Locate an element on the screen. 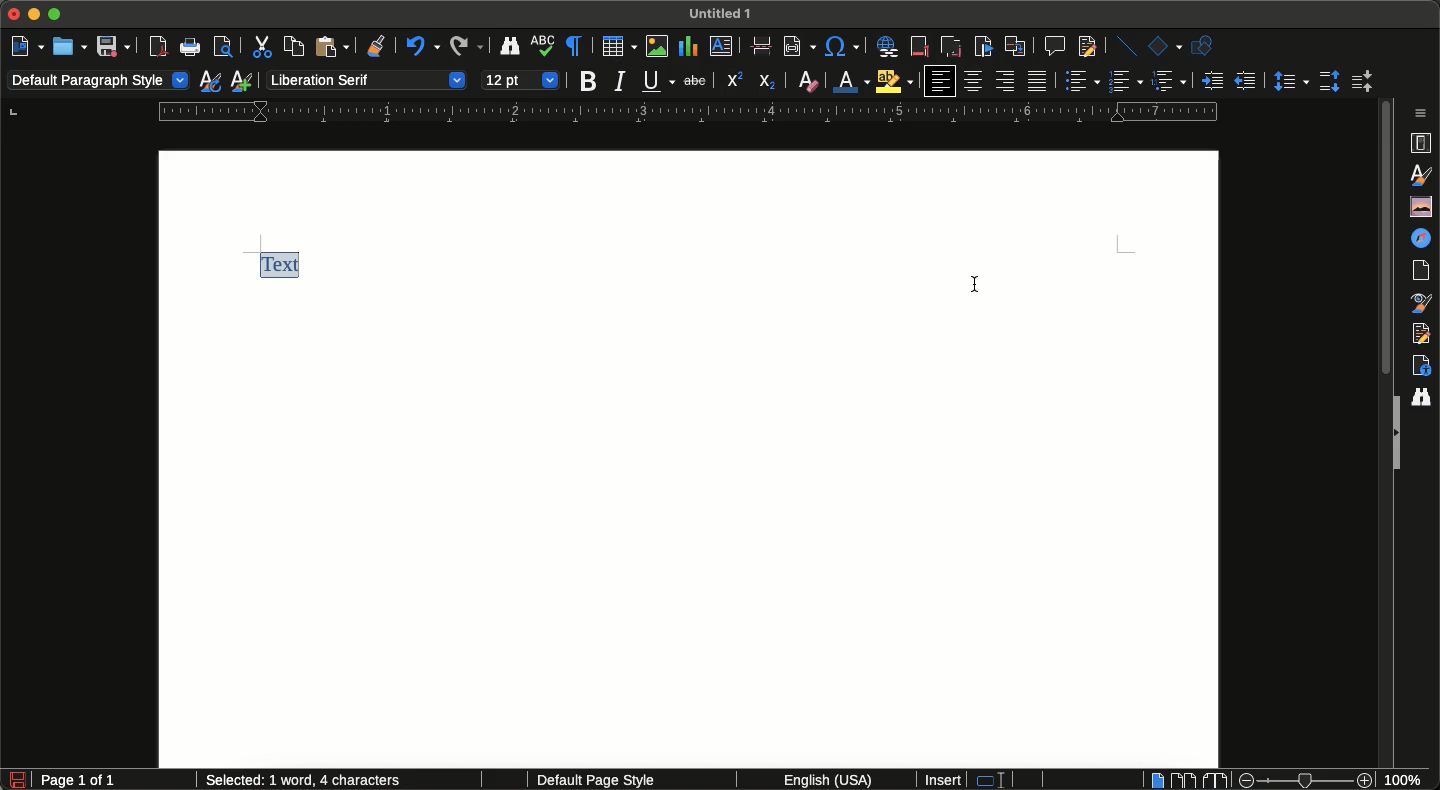 This screenshot has width=1440, height=790. Zoom in is located at coordinates (1367, 781).